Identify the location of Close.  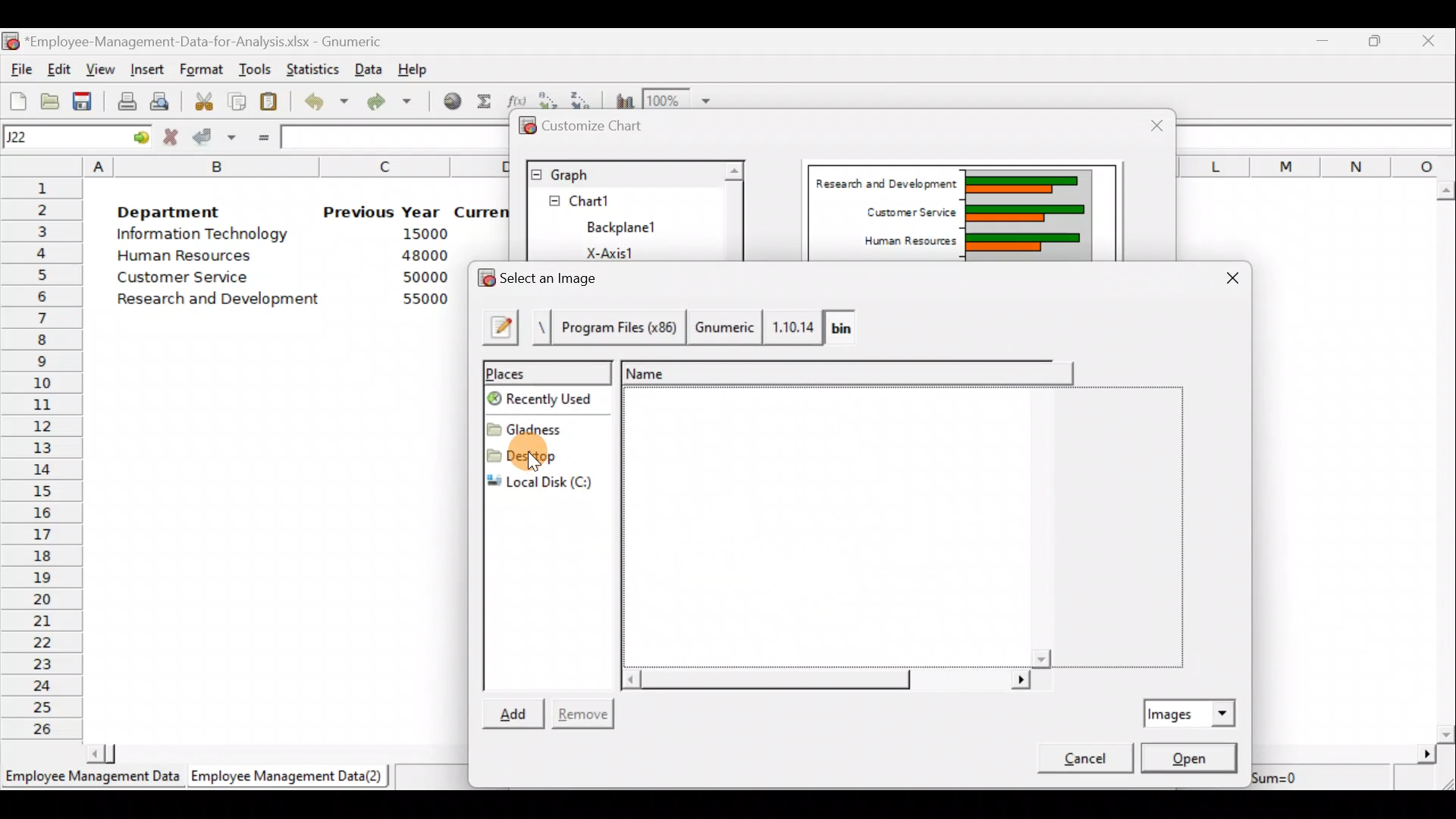
(1147, 124).